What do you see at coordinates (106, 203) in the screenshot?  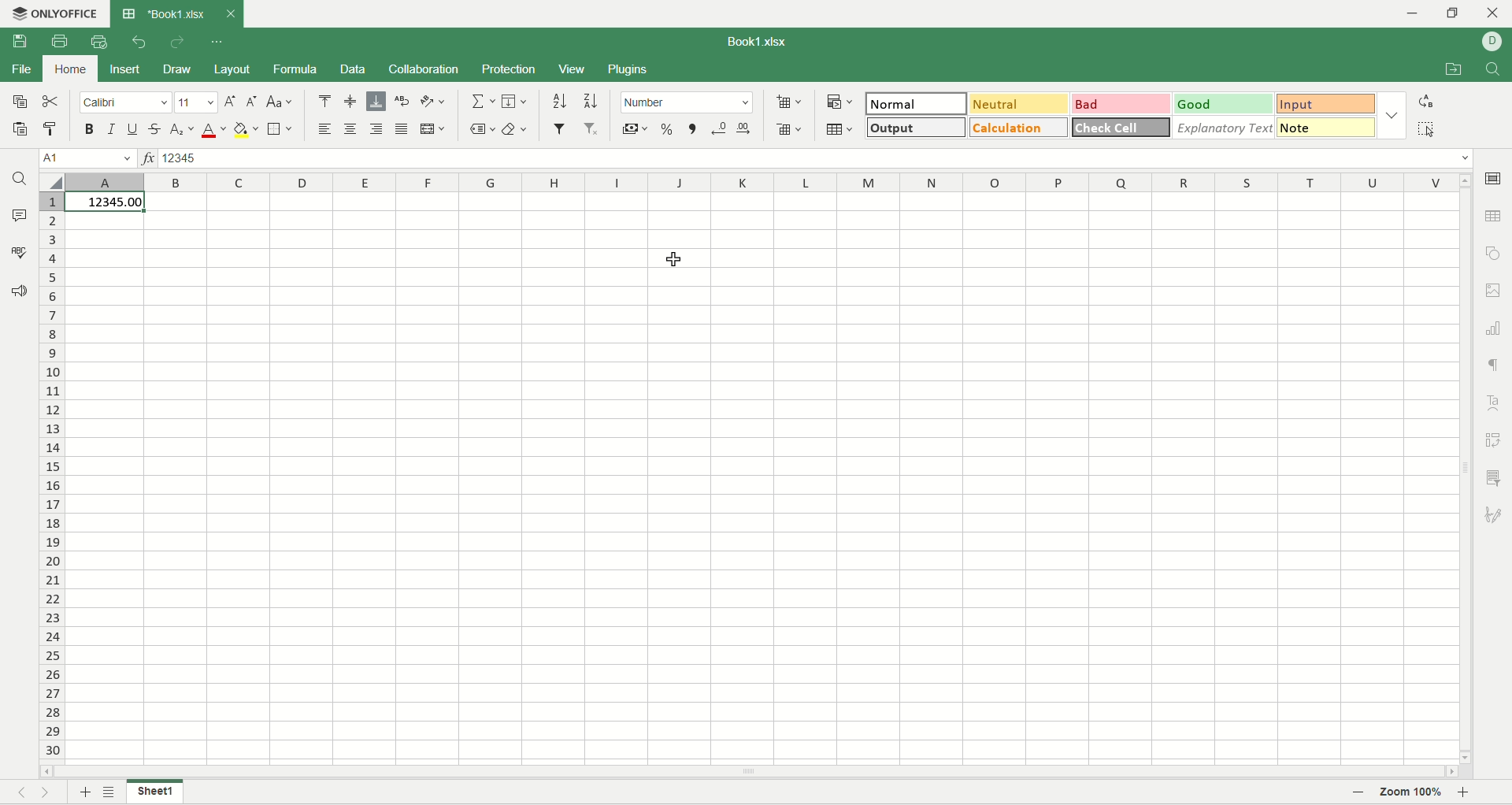 I see `active cell` at bounding box center [106, 203].